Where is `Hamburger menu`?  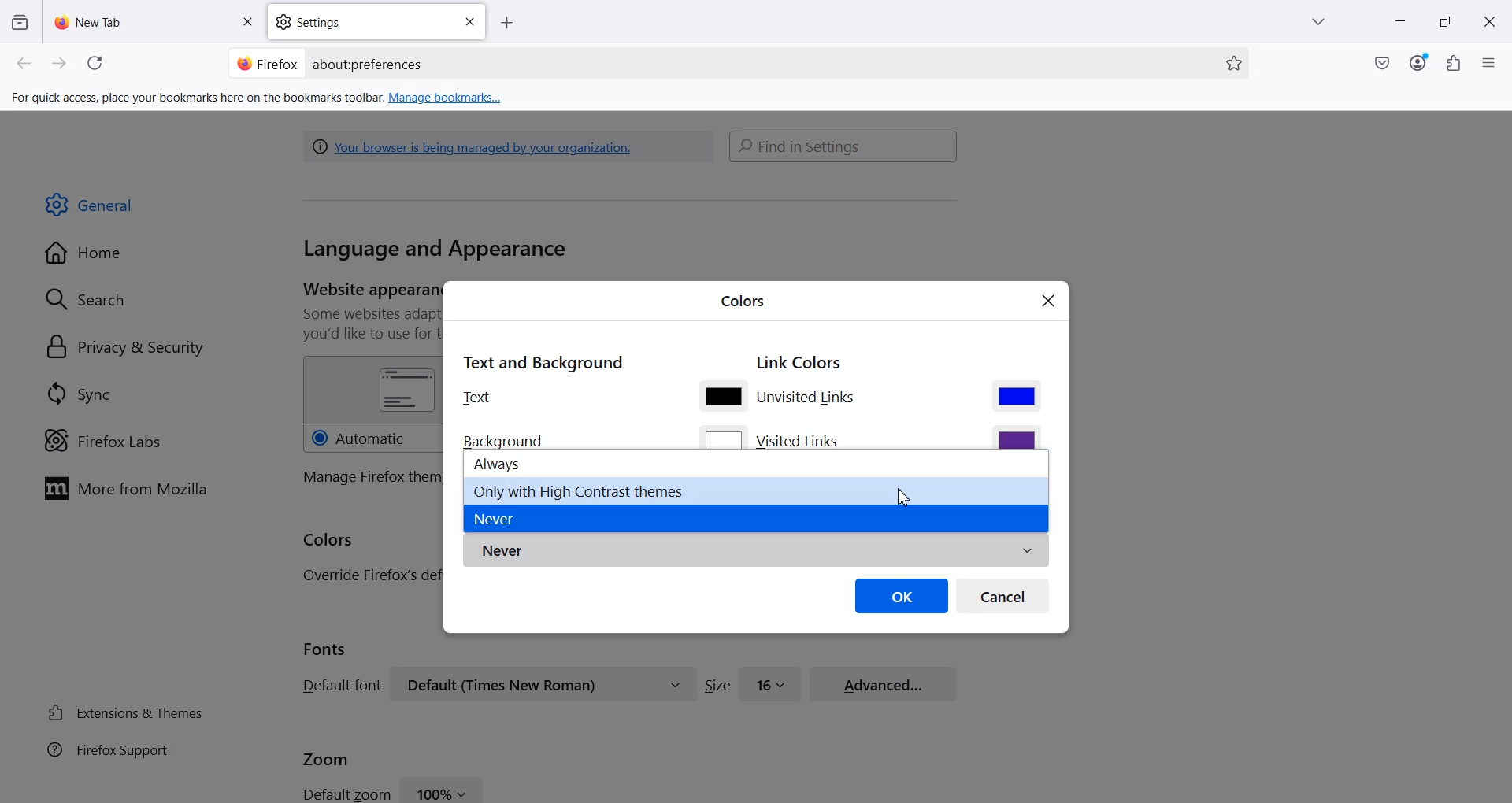 Hamburger menu is located at coordinates (1491, 64).